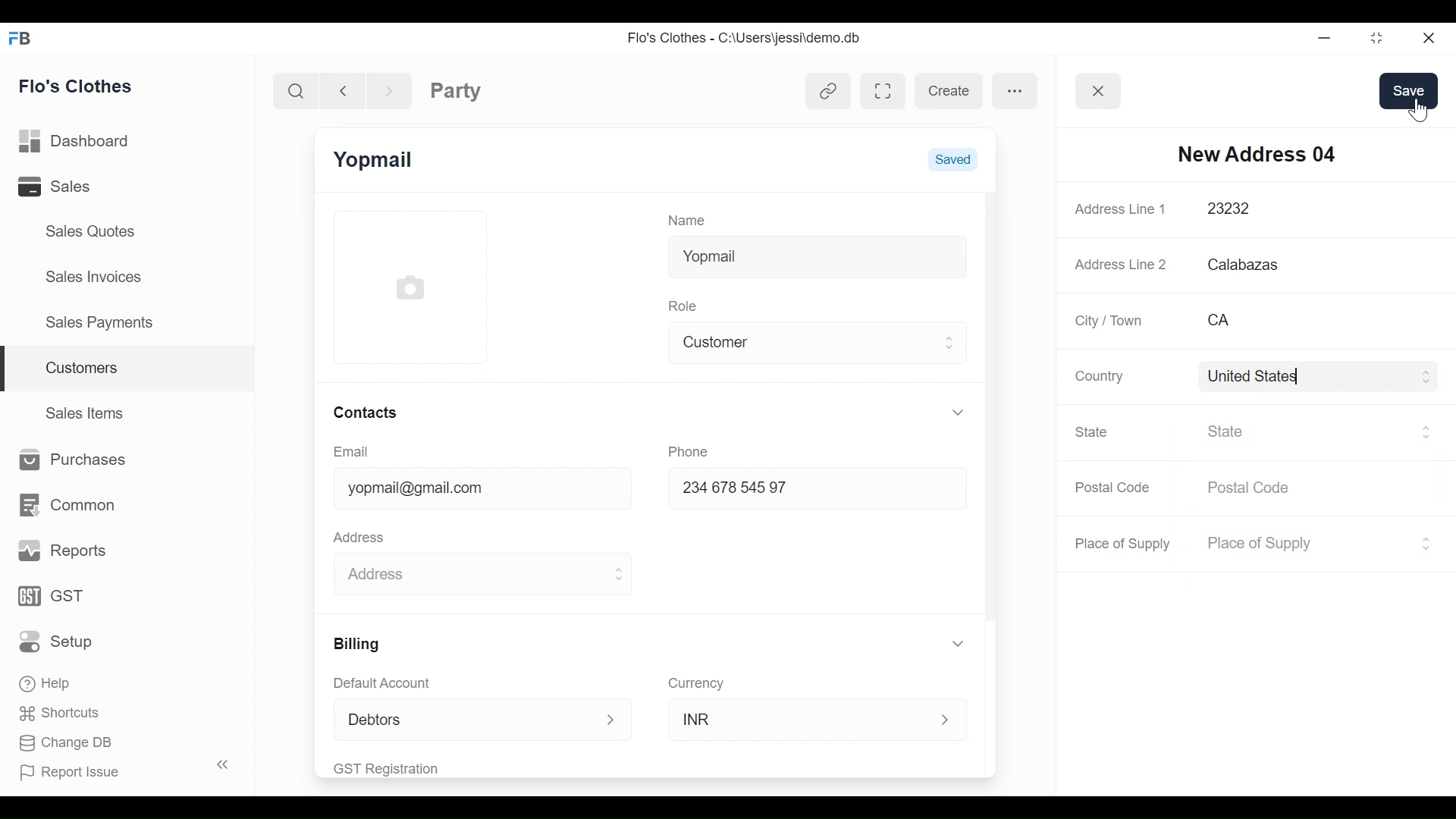 The height and width of the screenshot is (819, 1456). Describe the element at coordinates (1099, 91) in the screenshot. I see `` at that location.